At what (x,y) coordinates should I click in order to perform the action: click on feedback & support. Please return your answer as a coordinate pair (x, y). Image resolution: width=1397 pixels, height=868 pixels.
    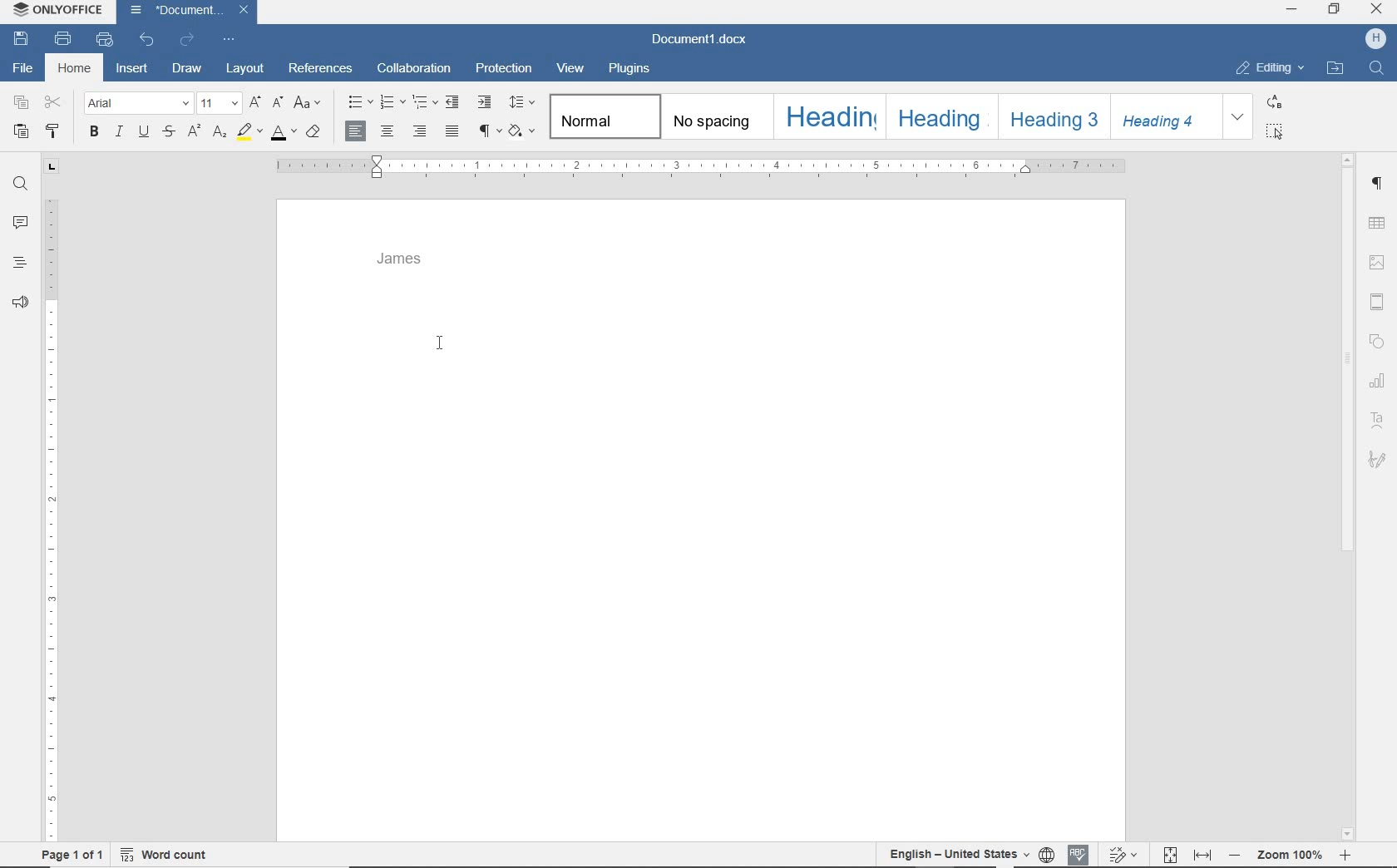
    Looking at the image, I should click on (18, 303).